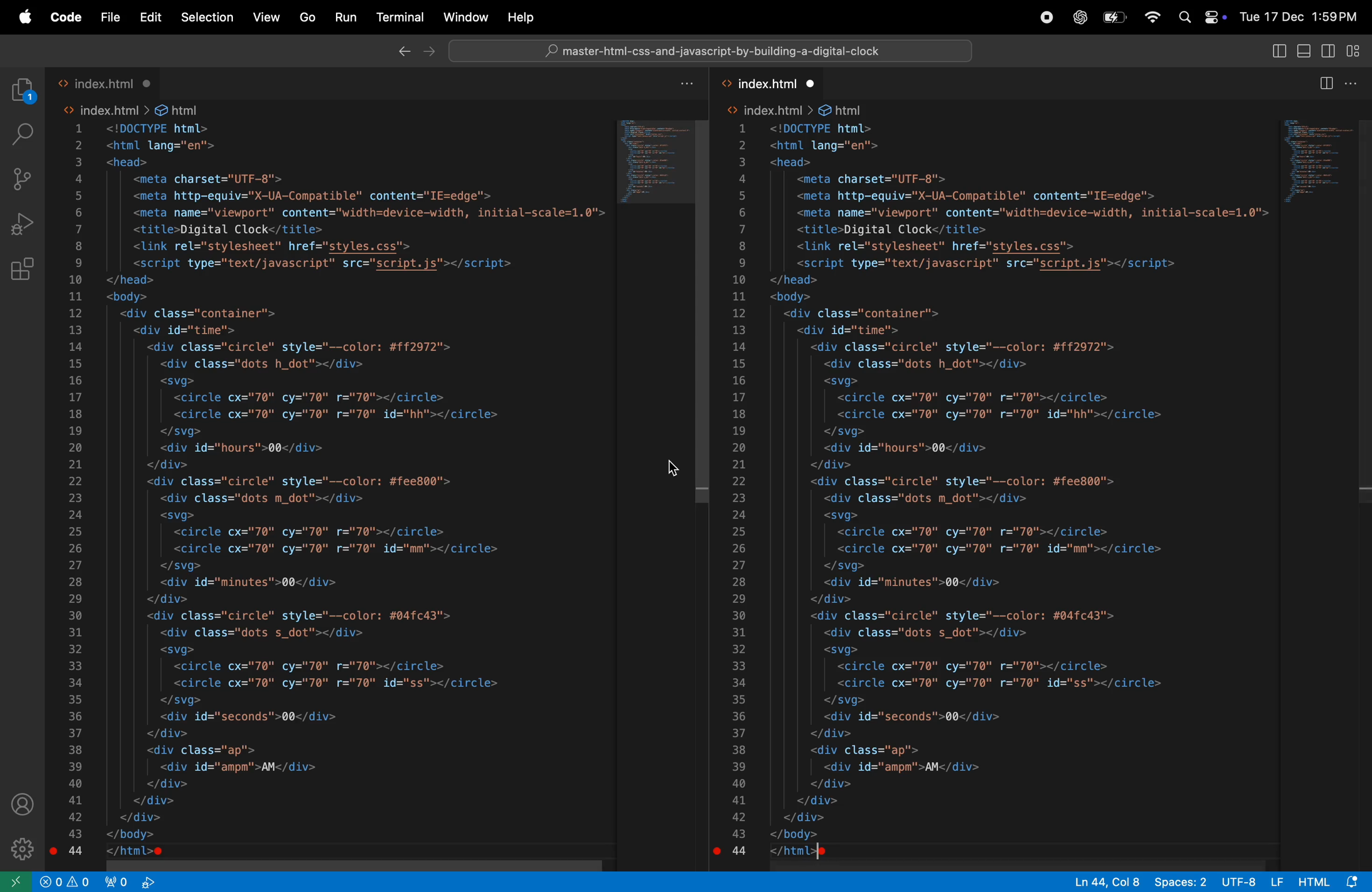 This screenshot has height=892, width=1372. What do you see at coordinates (1181, 18) in the screenshot?
I see `Spotlight` at bounding box center [1181, 18].